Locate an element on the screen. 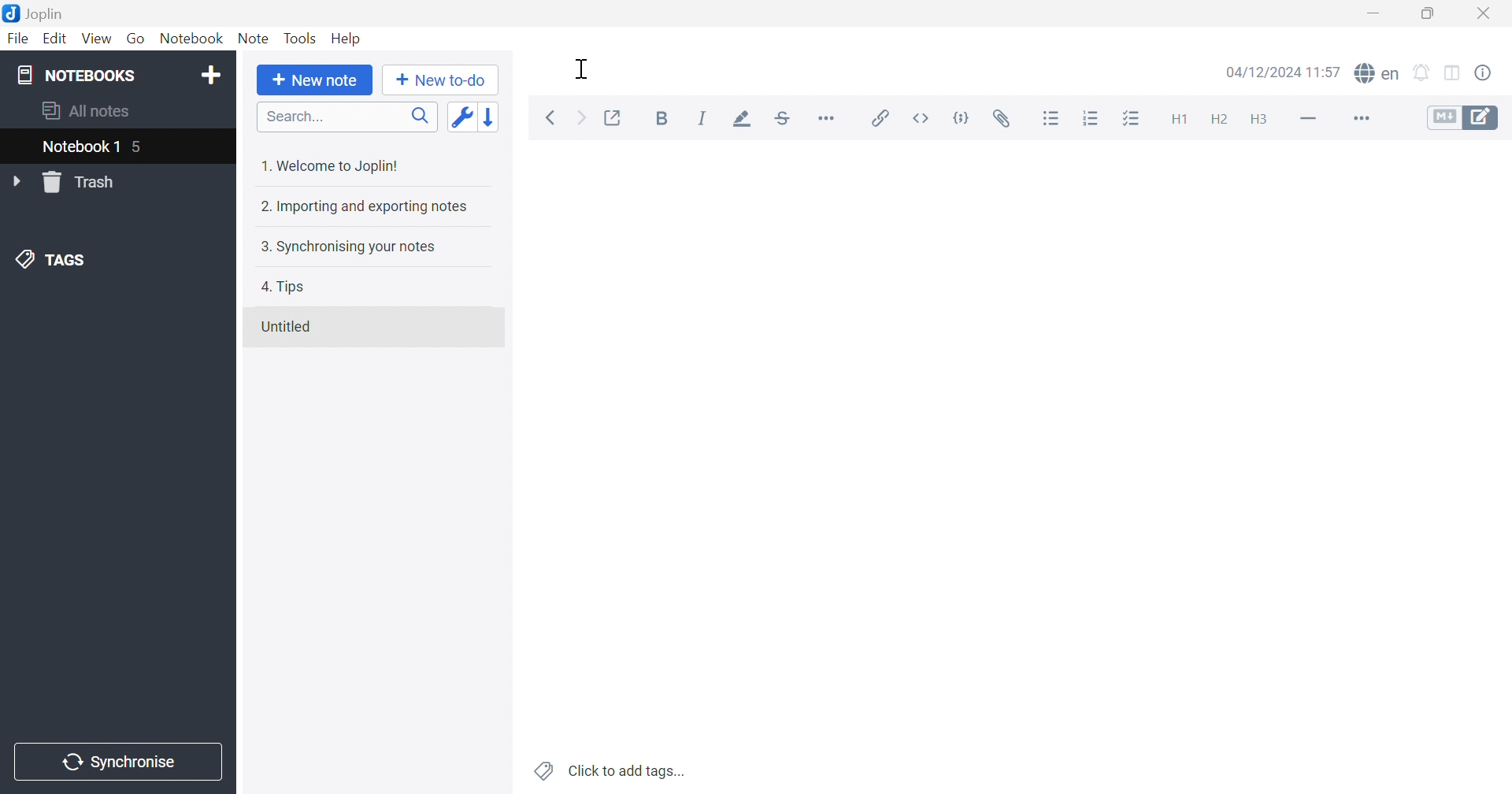 Image resolution: width=1512 pixels, height=794 pixels. Reverse sort order is located at coordinates (490, 117).